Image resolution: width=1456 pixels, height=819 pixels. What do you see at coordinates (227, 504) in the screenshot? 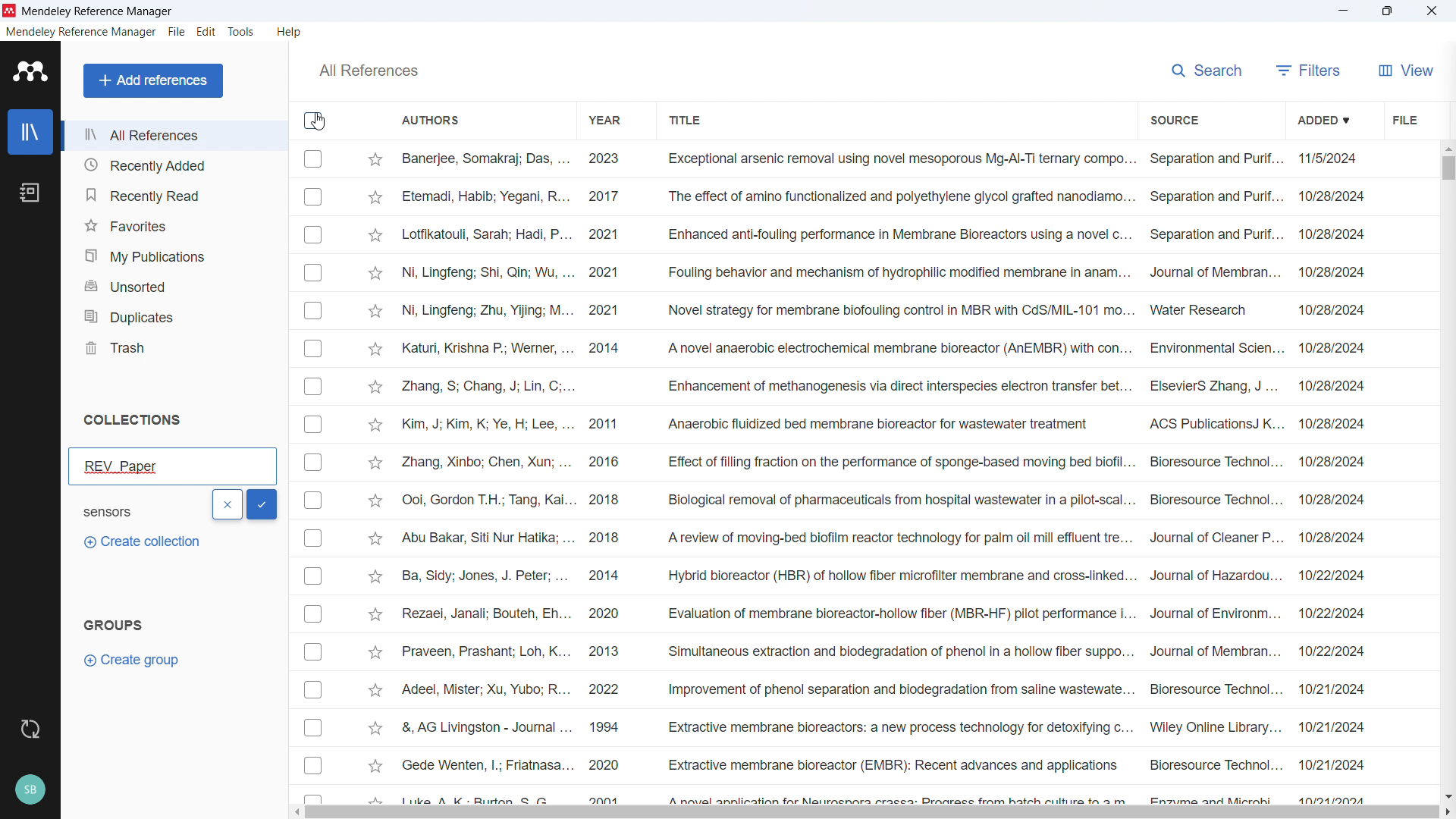
I see `Cross ` at bounding box center [227, 504].